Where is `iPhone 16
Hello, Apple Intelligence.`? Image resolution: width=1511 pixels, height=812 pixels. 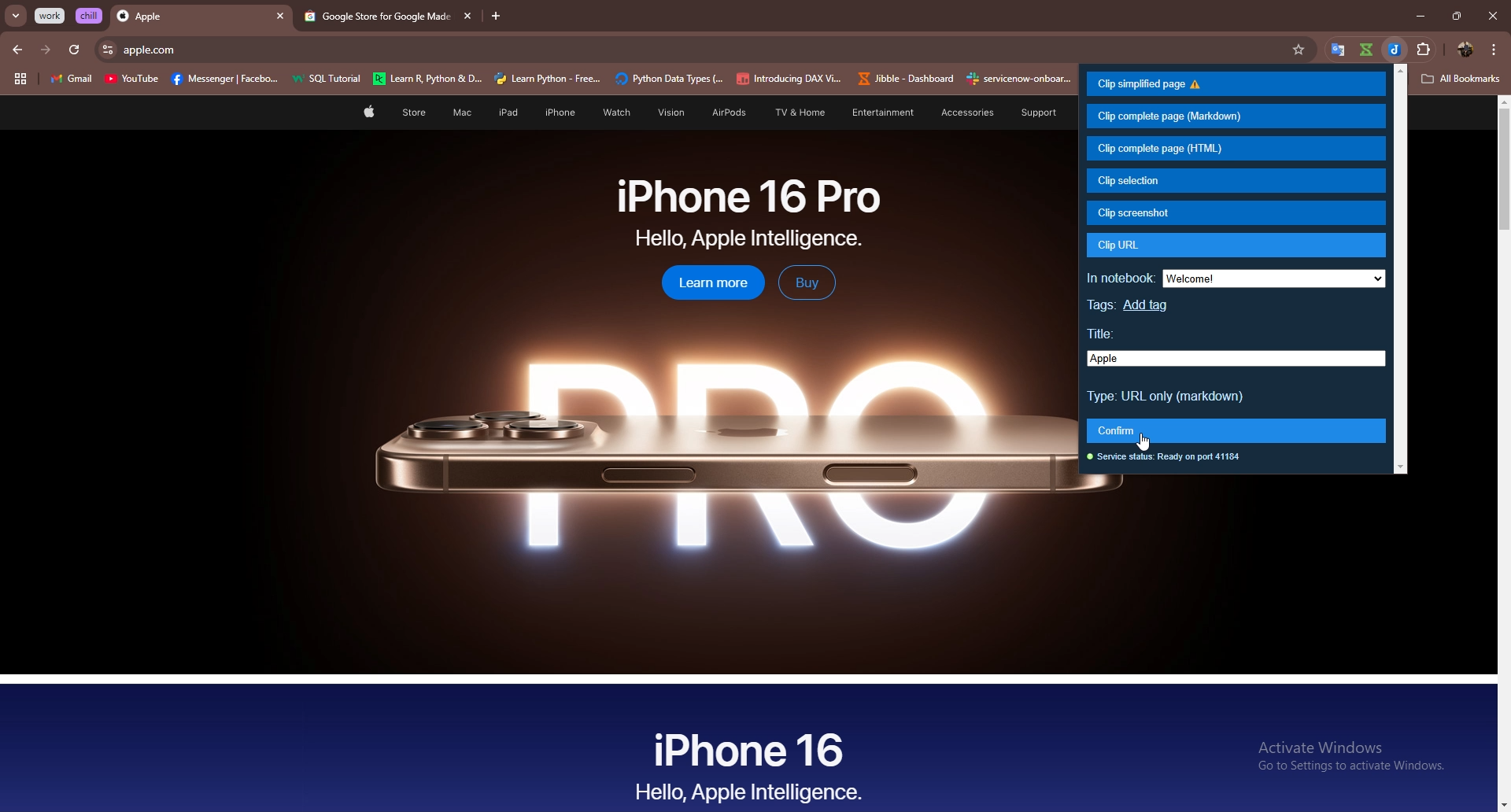
iPhone 16
Hello, Apple Intelligence. is located at coordinates (750, 764).